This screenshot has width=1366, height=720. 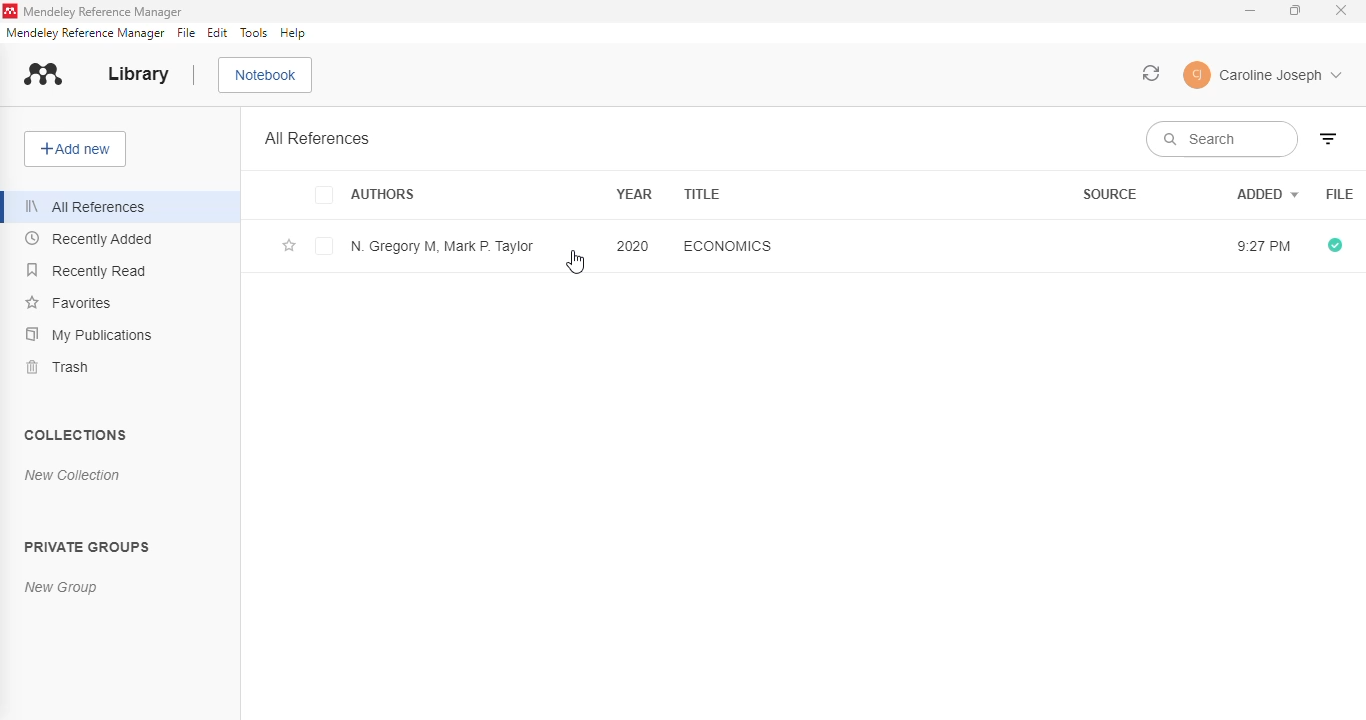 I want to click on new group, so click(x=61, y=586).